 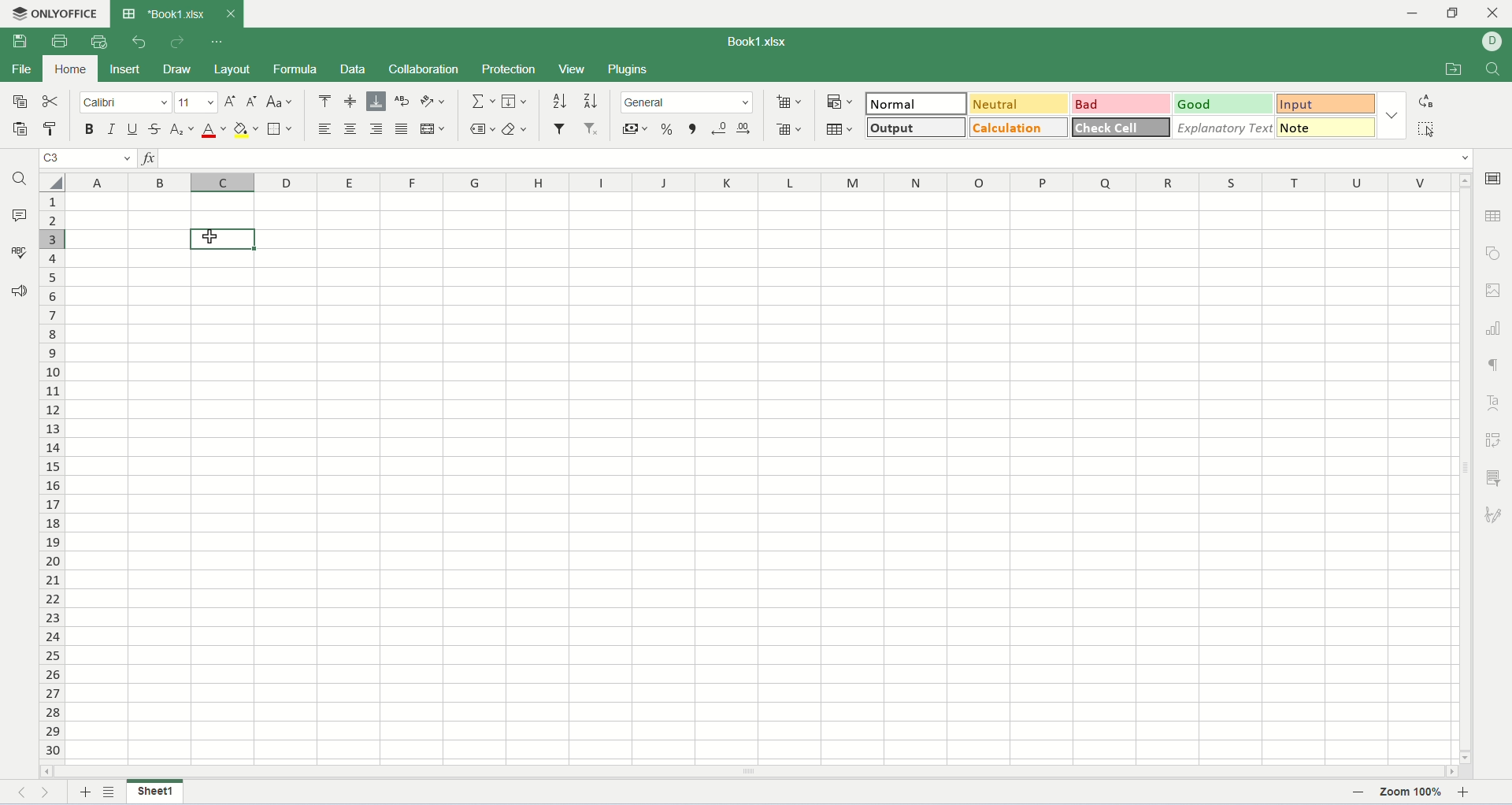 I want to click on plugins, so click(x=647, y=68).